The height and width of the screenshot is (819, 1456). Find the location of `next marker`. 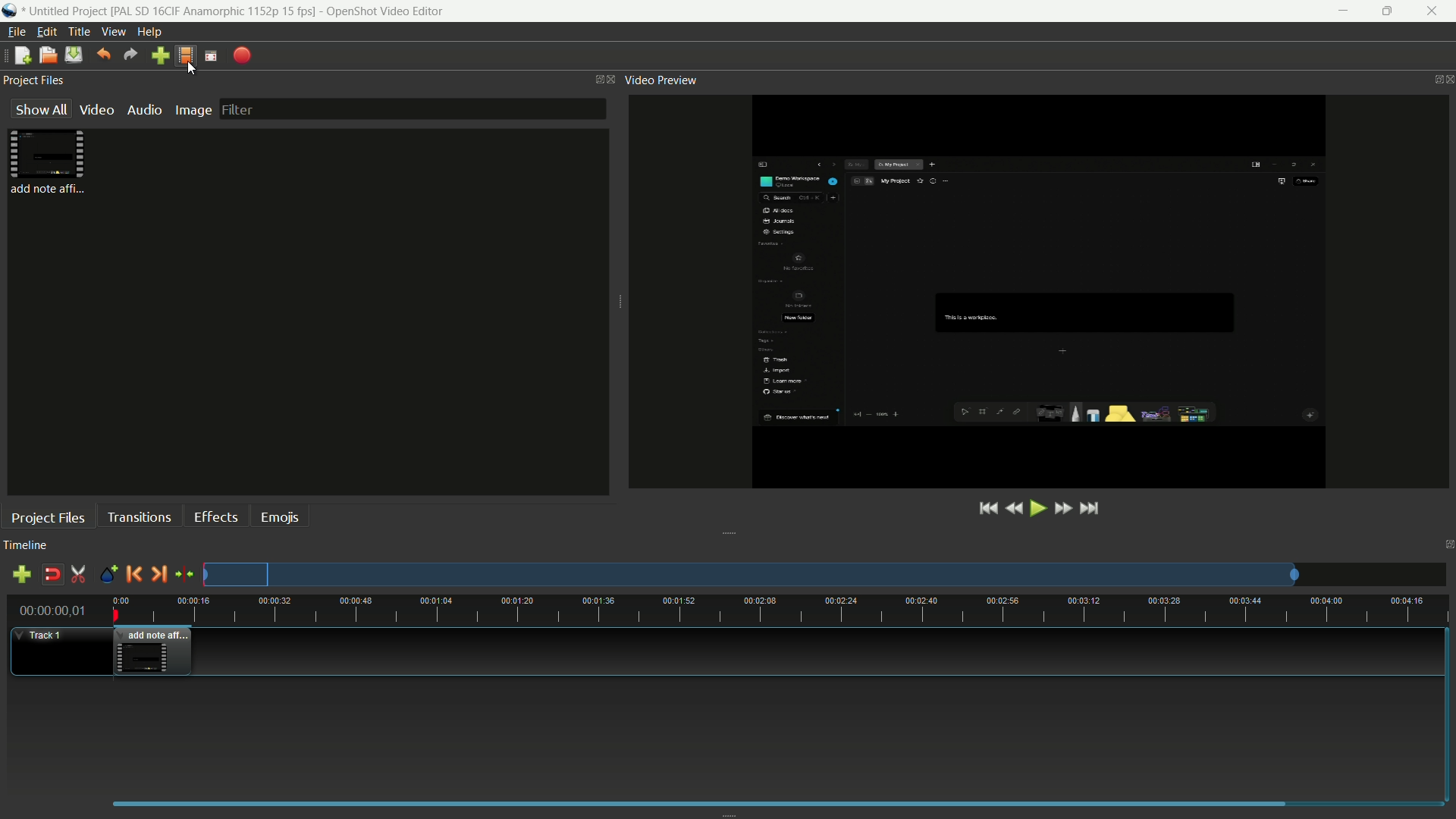

next marker is located at coordinates (157, 573).